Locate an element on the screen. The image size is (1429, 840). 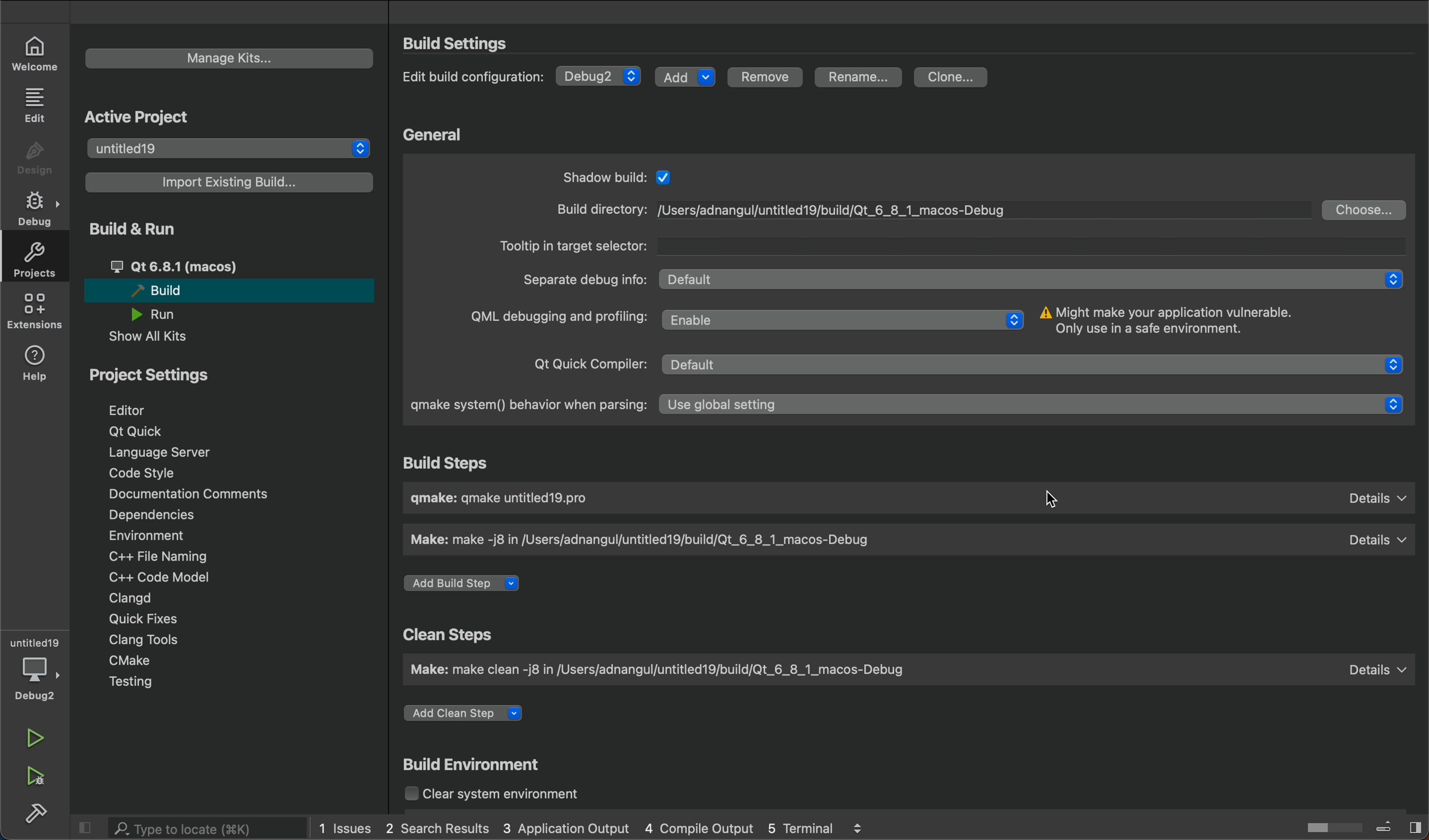
untitled is located at coordinates (35, 642).